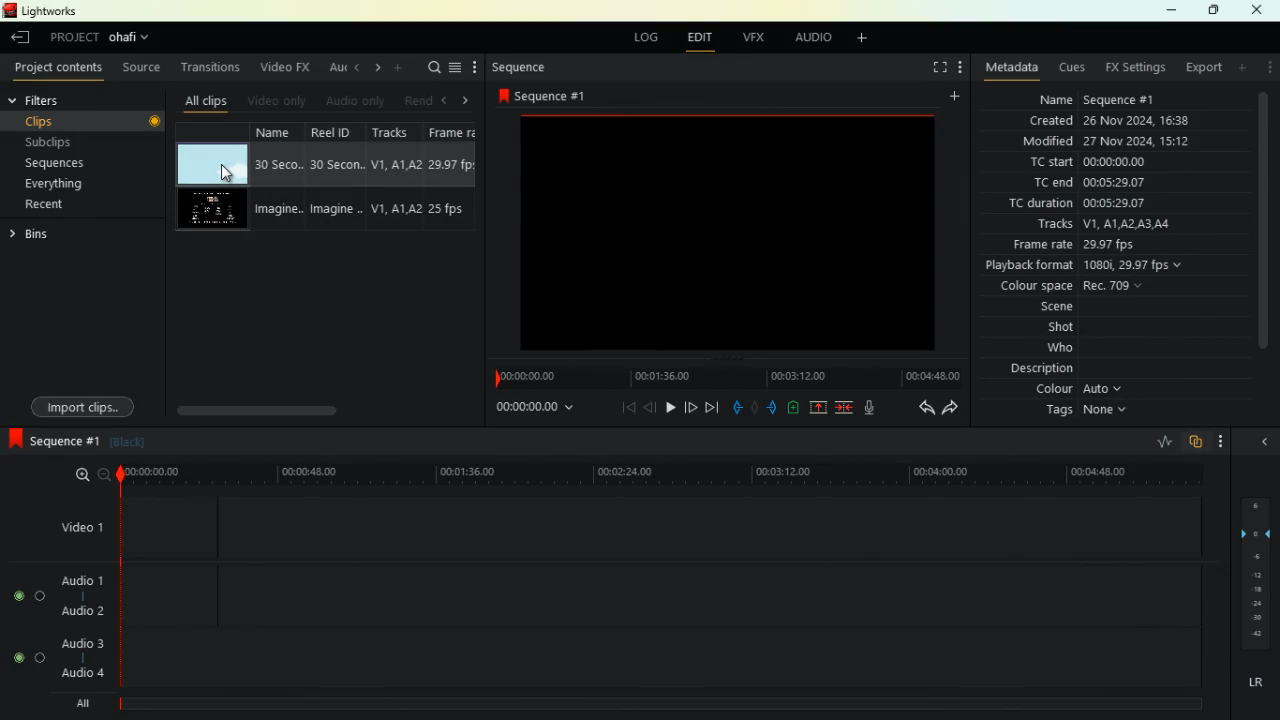 Image resolution: width=1280 pixels, height=720 pixels. Describe the element at coordinates (376, 69) in the screenshot. I see `right` at that location.